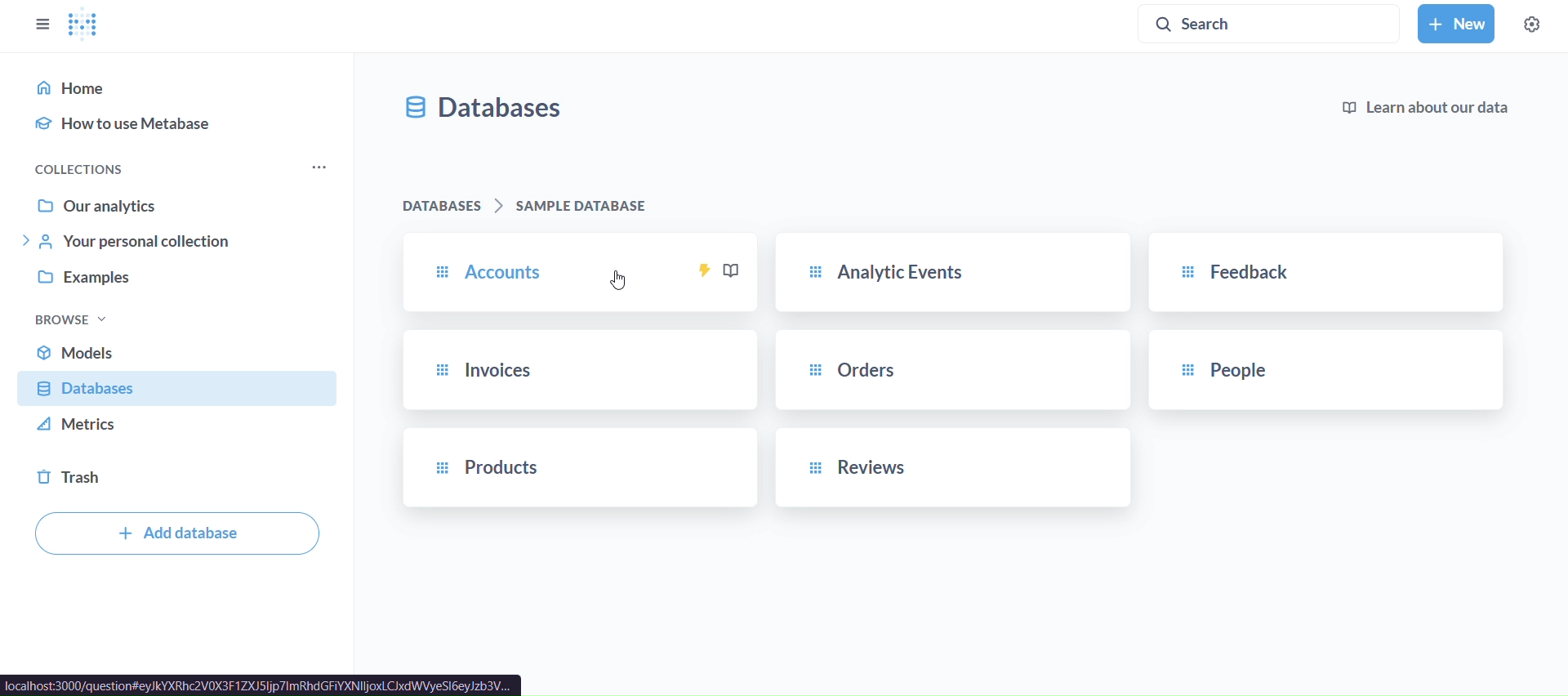 The height and width of the screenshot is (696, 1568). I want to click on our analytics, so click(177, 203).